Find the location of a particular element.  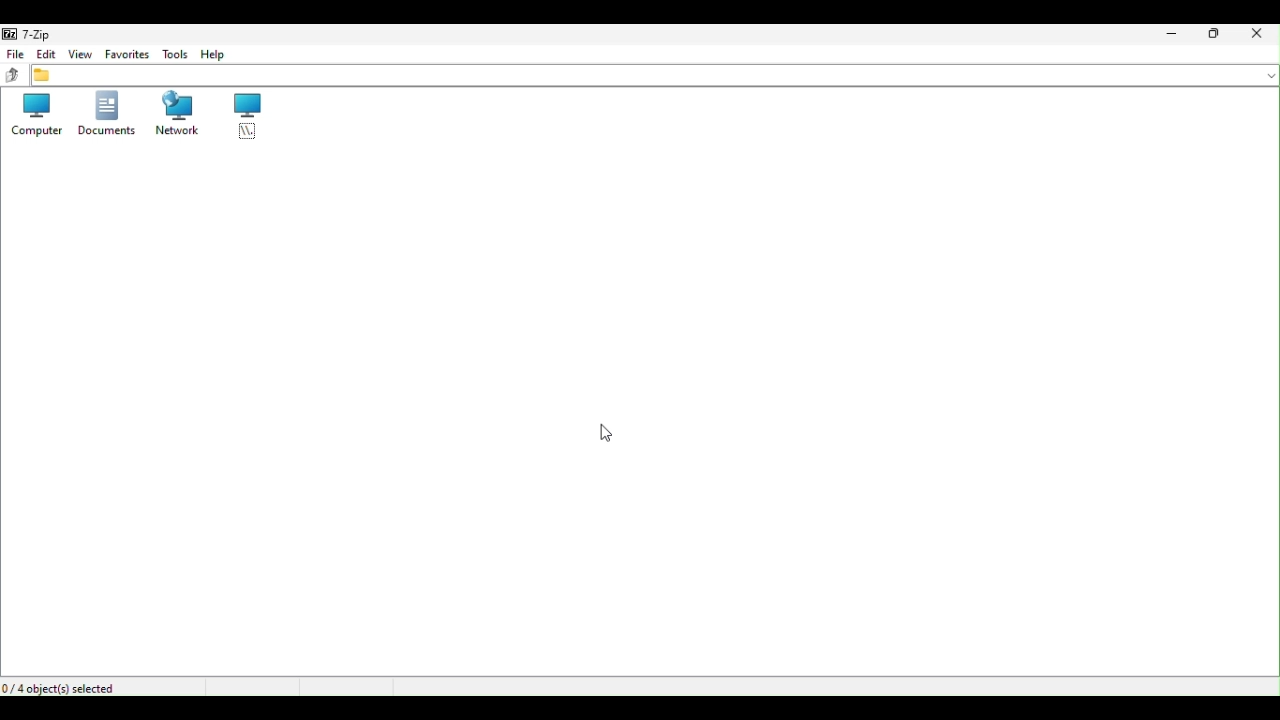

Tools is located at coordinates (175, 56).